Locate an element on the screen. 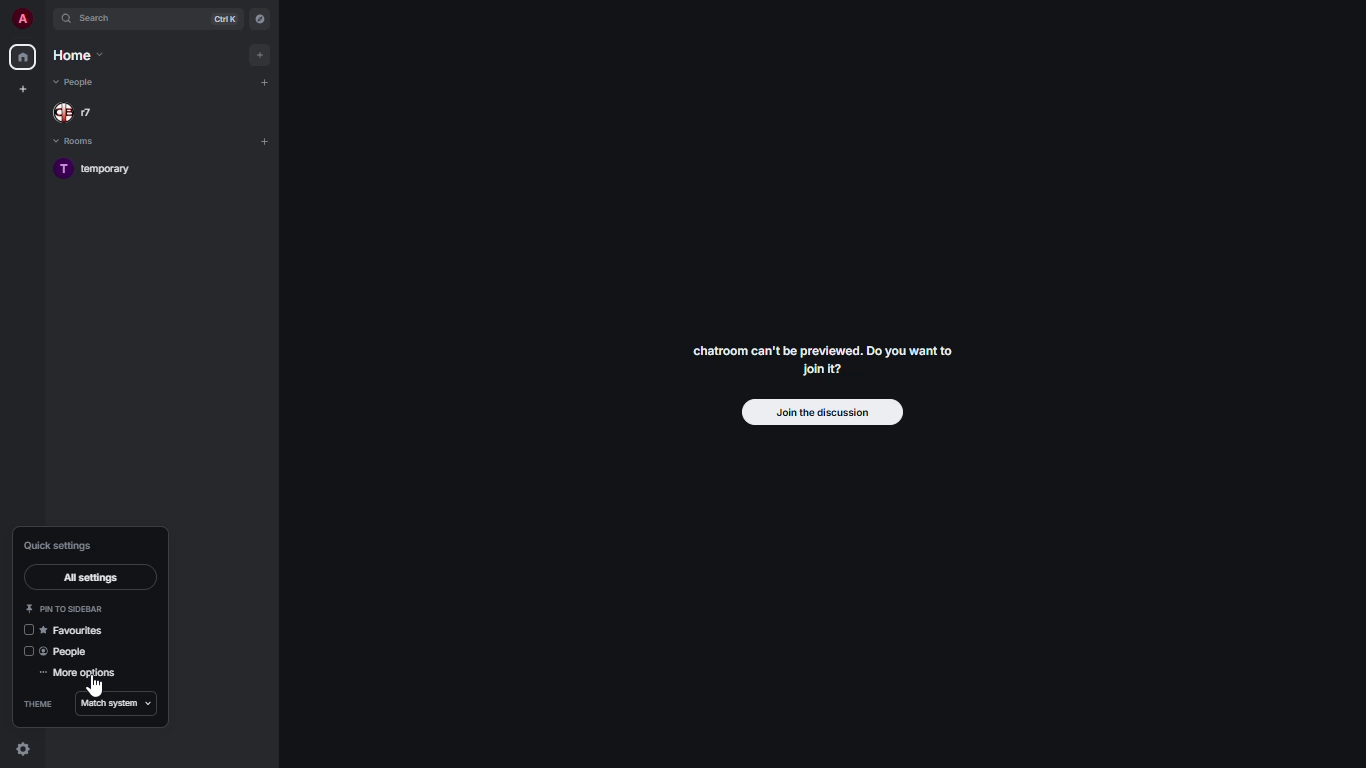 The image size is (1366, 768). quick settings is located at coordinates (63, 544).